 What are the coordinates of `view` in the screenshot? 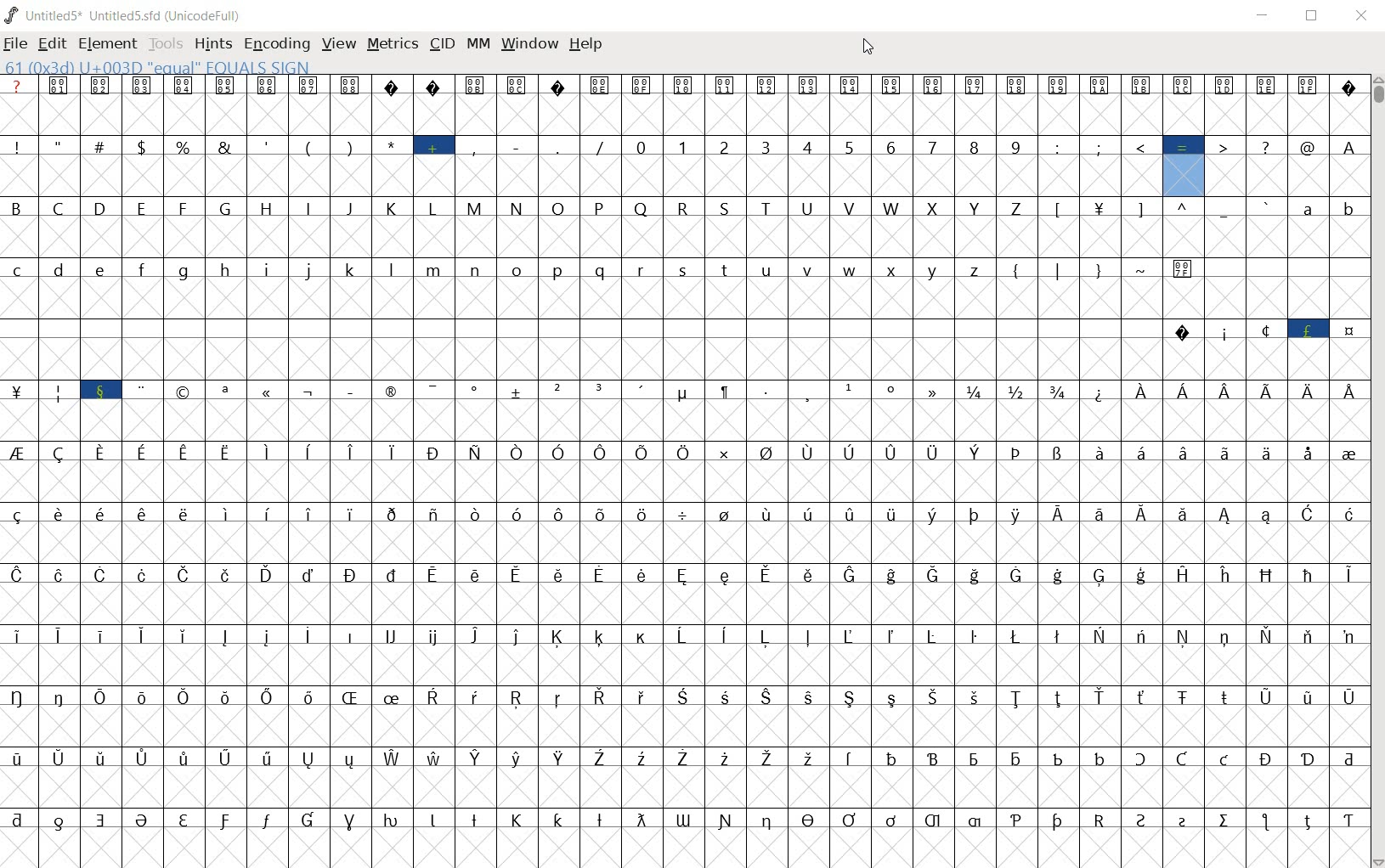 It's located at (336, 43).